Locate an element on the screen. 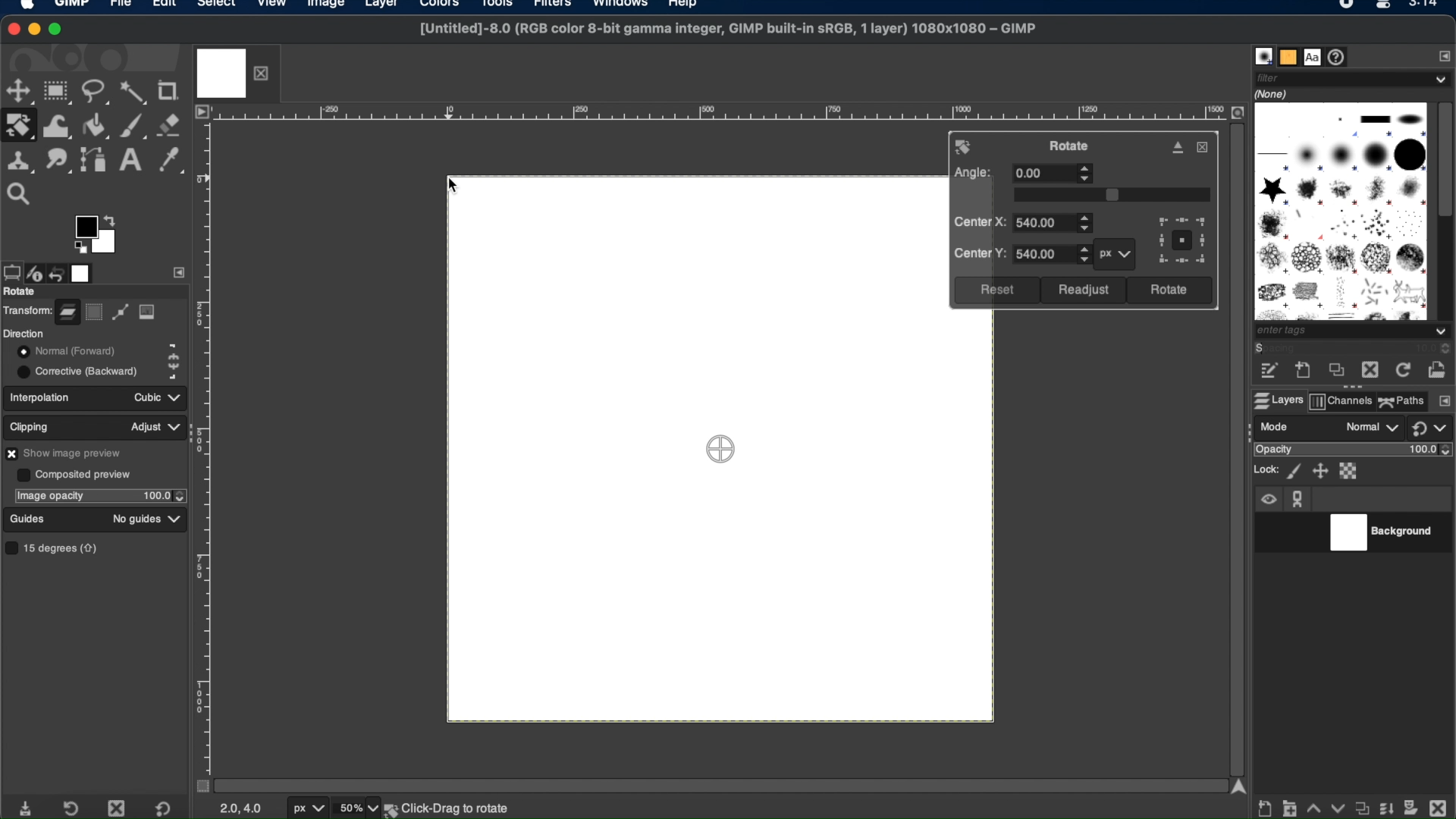 This screenshot has width=1456, height=819. delete this brush is located at coordinates (1370, 370).